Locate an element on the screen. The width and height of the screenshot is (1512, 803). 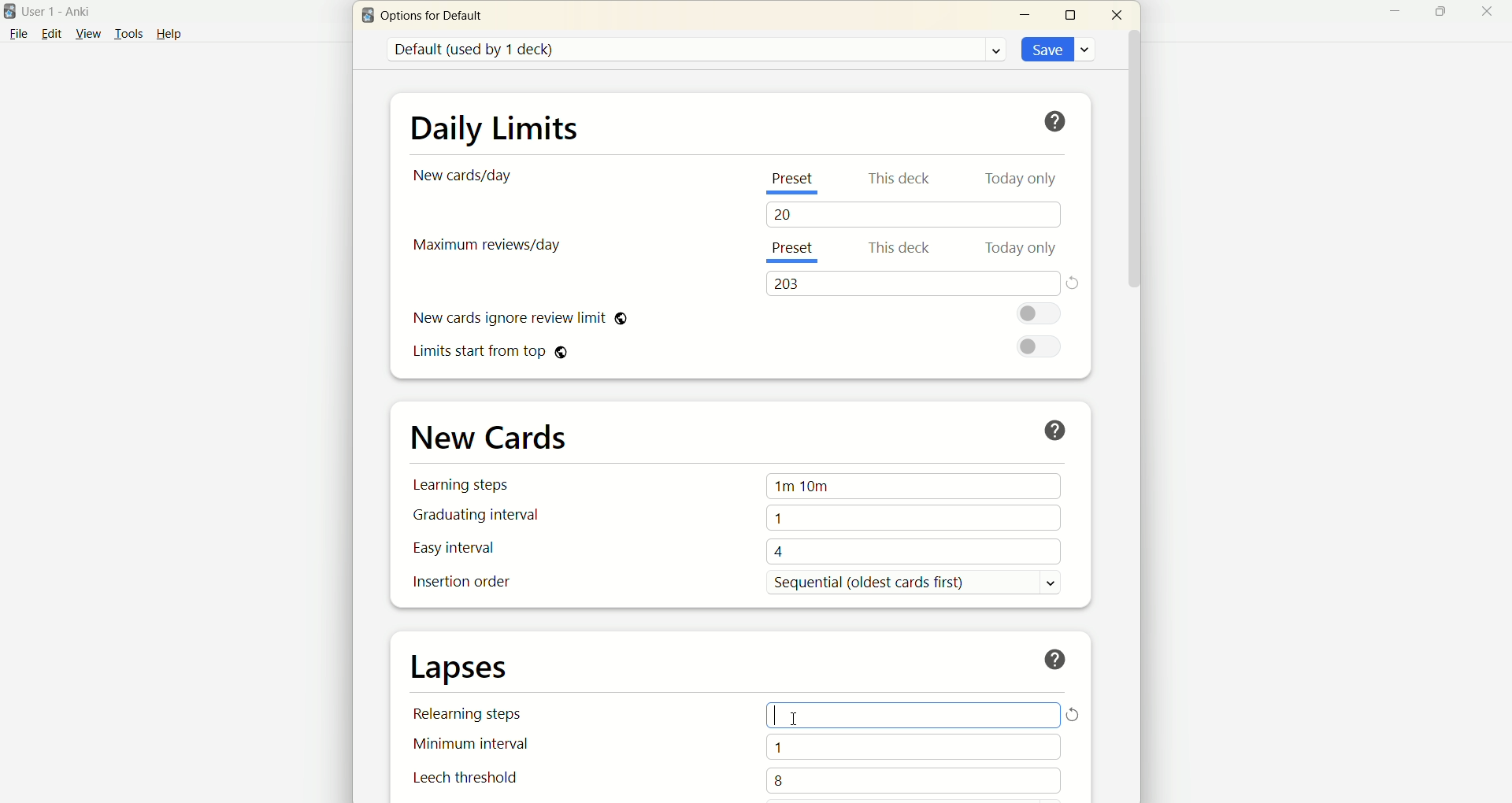
logo is located at coordinates (10, 12).